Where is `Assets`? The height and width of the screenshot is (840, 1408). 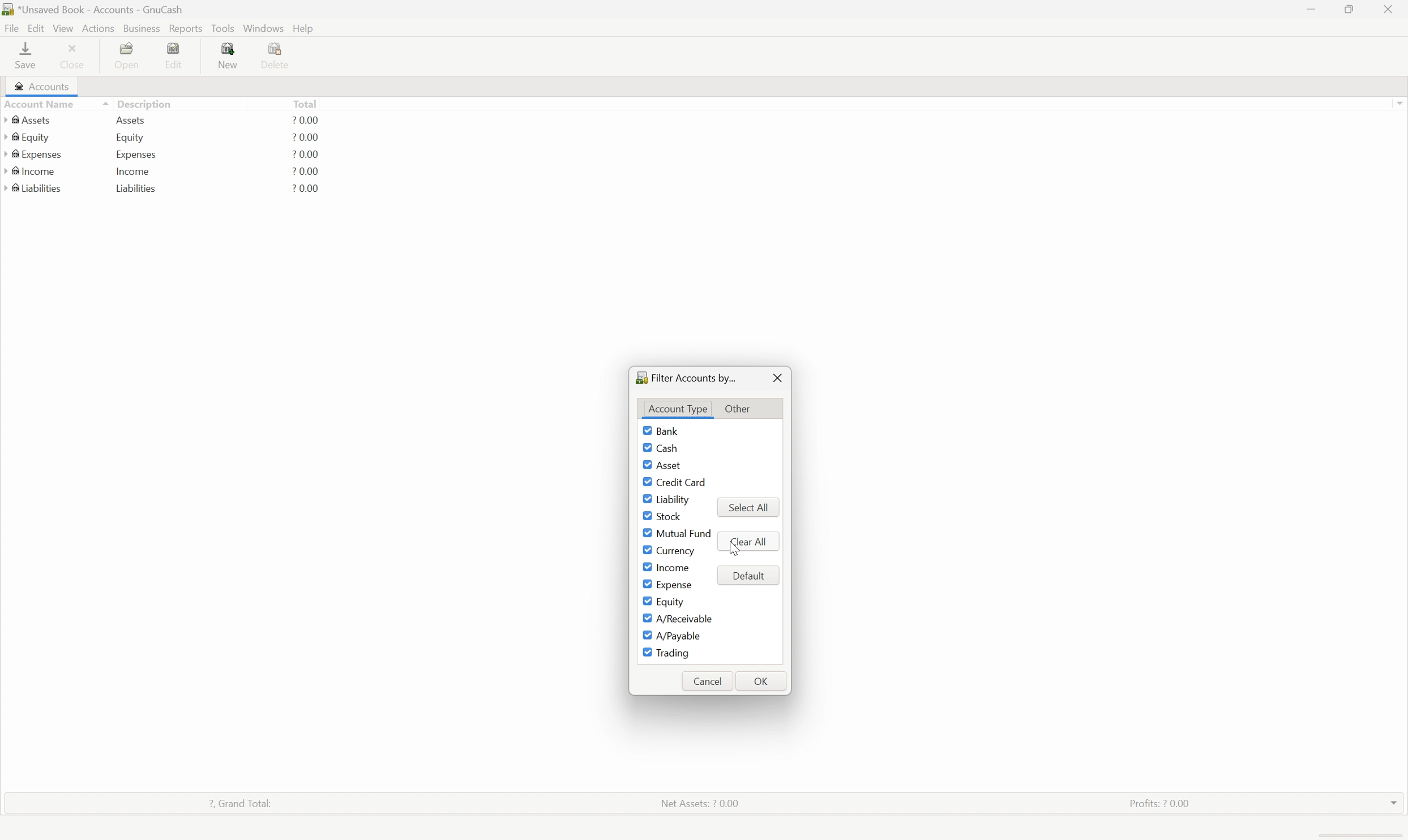 Assets is located at coordinates (27, 120).